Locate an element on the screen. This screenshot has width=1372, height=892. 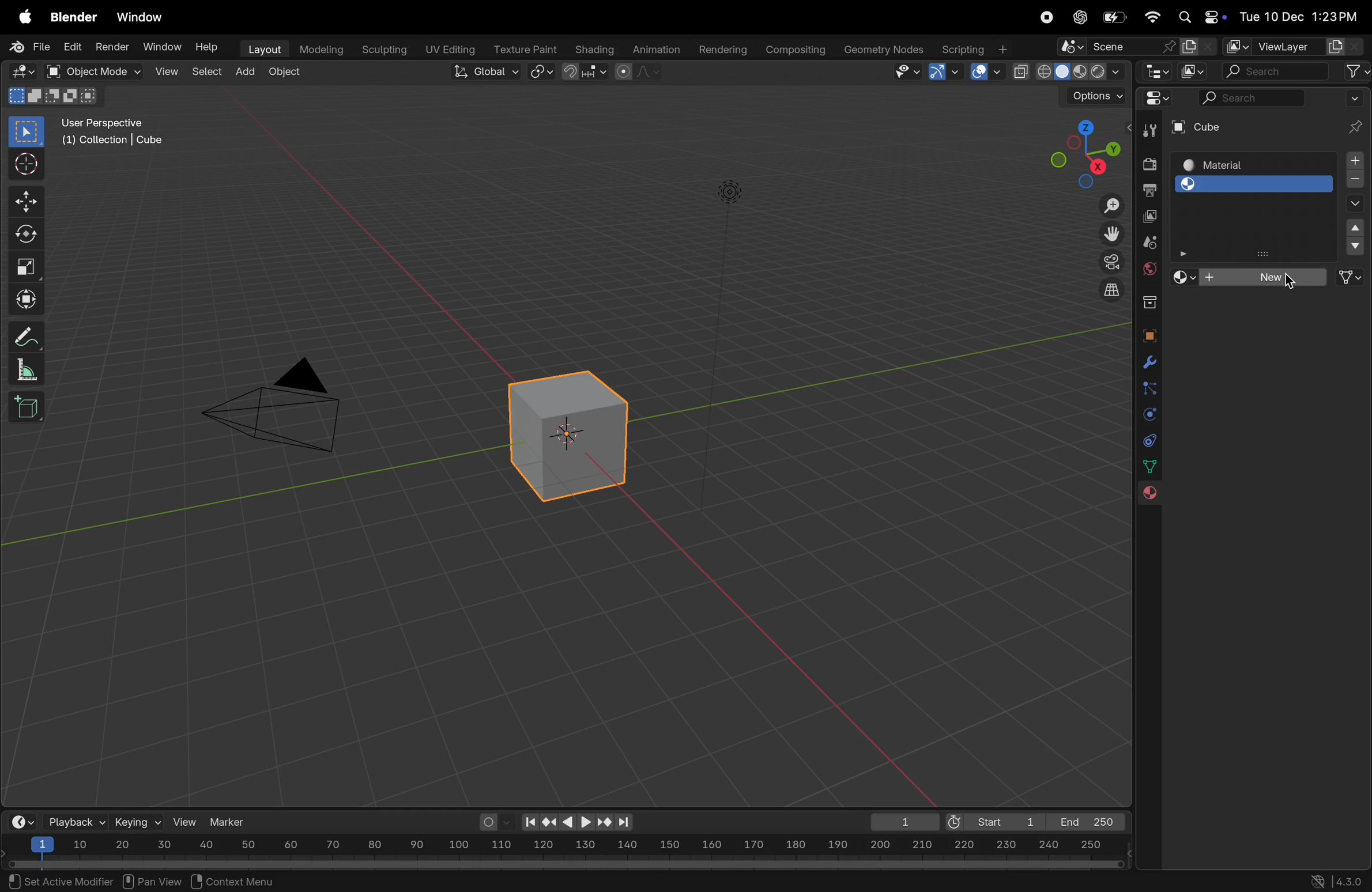
tool is located at coordinates (1146, 133).